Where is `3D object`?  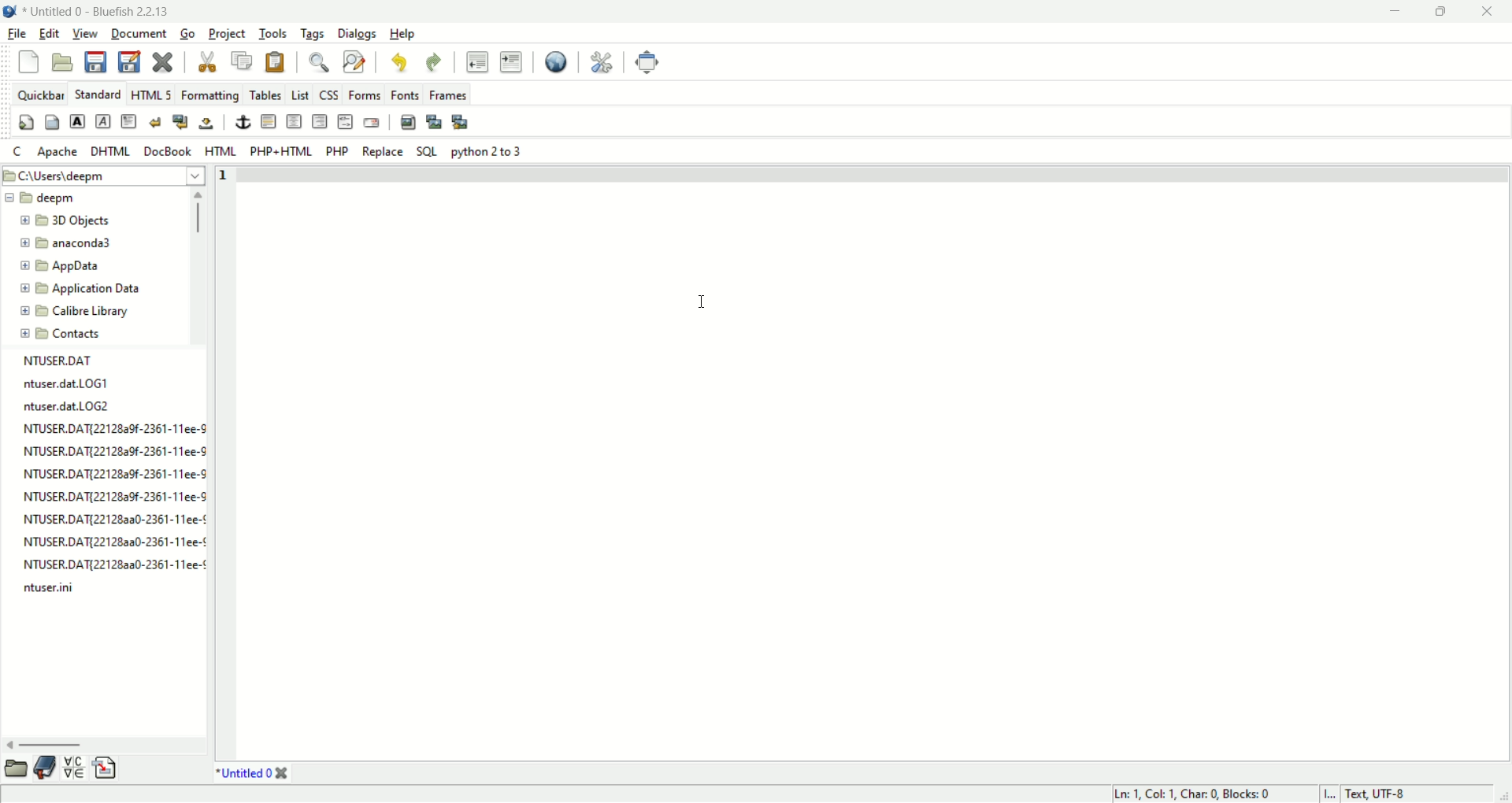
3D object is located at coordinates (71, 221).